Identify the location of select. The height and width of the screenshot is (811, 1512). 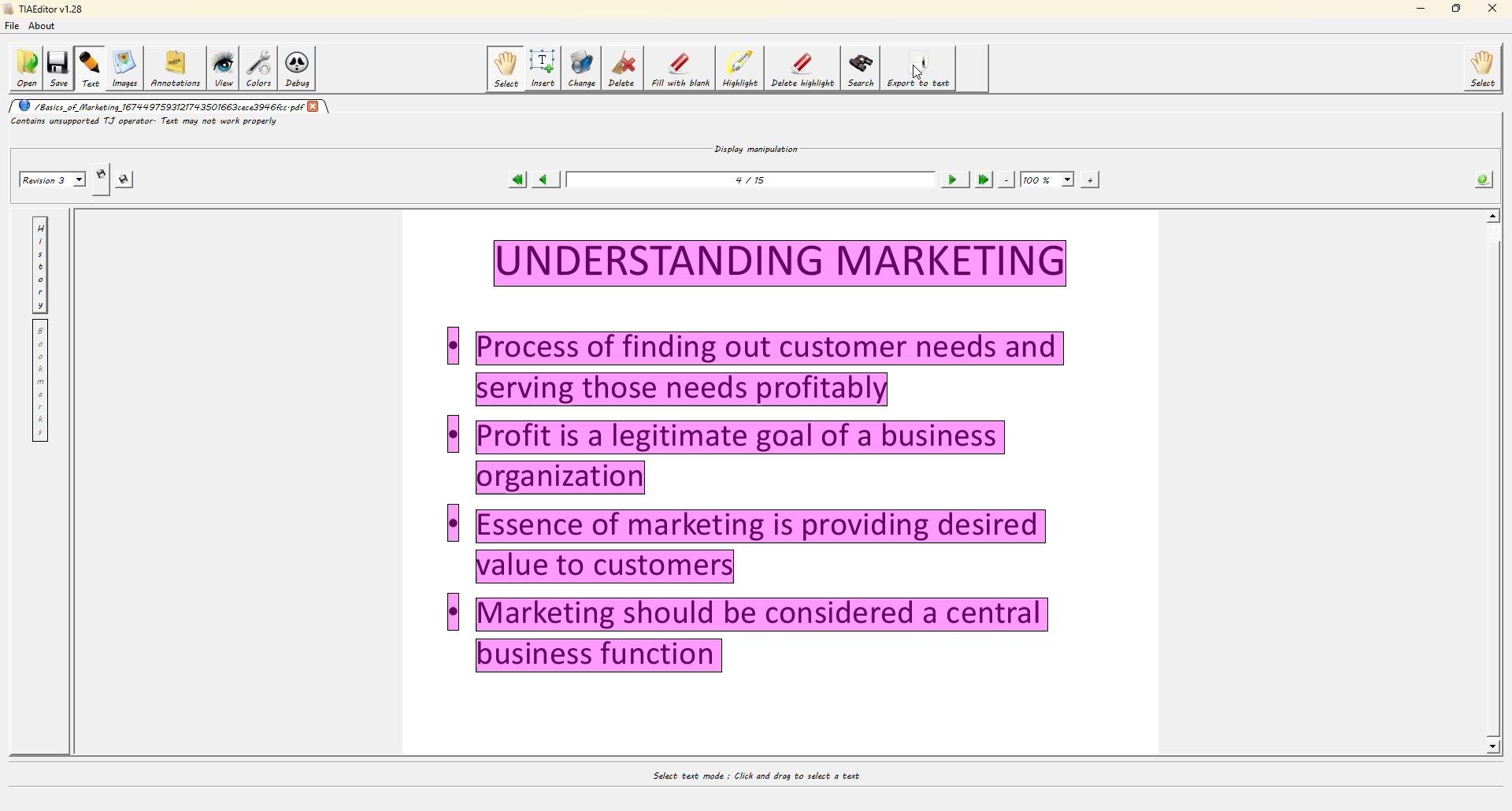
(1482, 69).